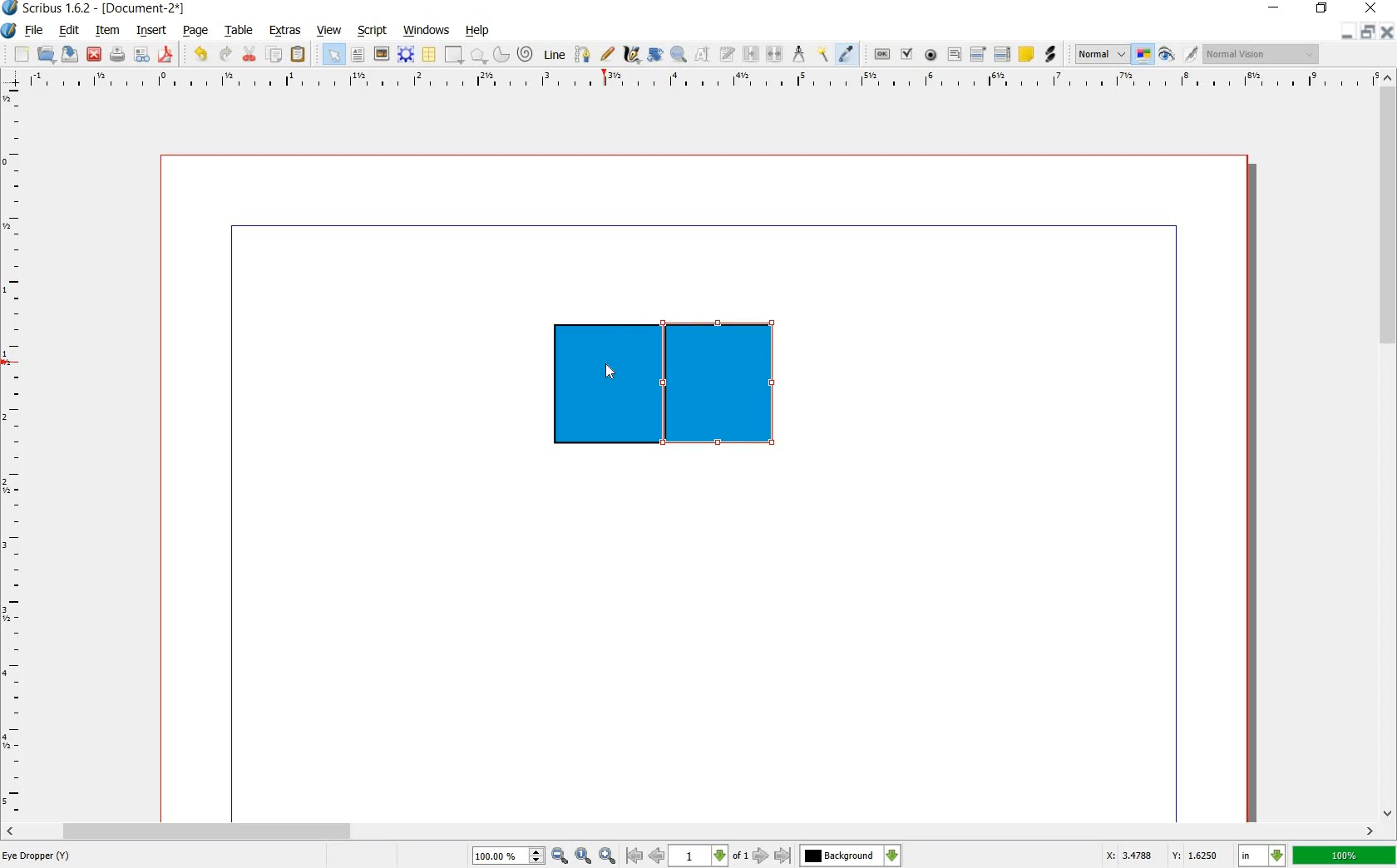 This screenshot has width=1397, height=868. I want to click on in, so click(1260, 855).